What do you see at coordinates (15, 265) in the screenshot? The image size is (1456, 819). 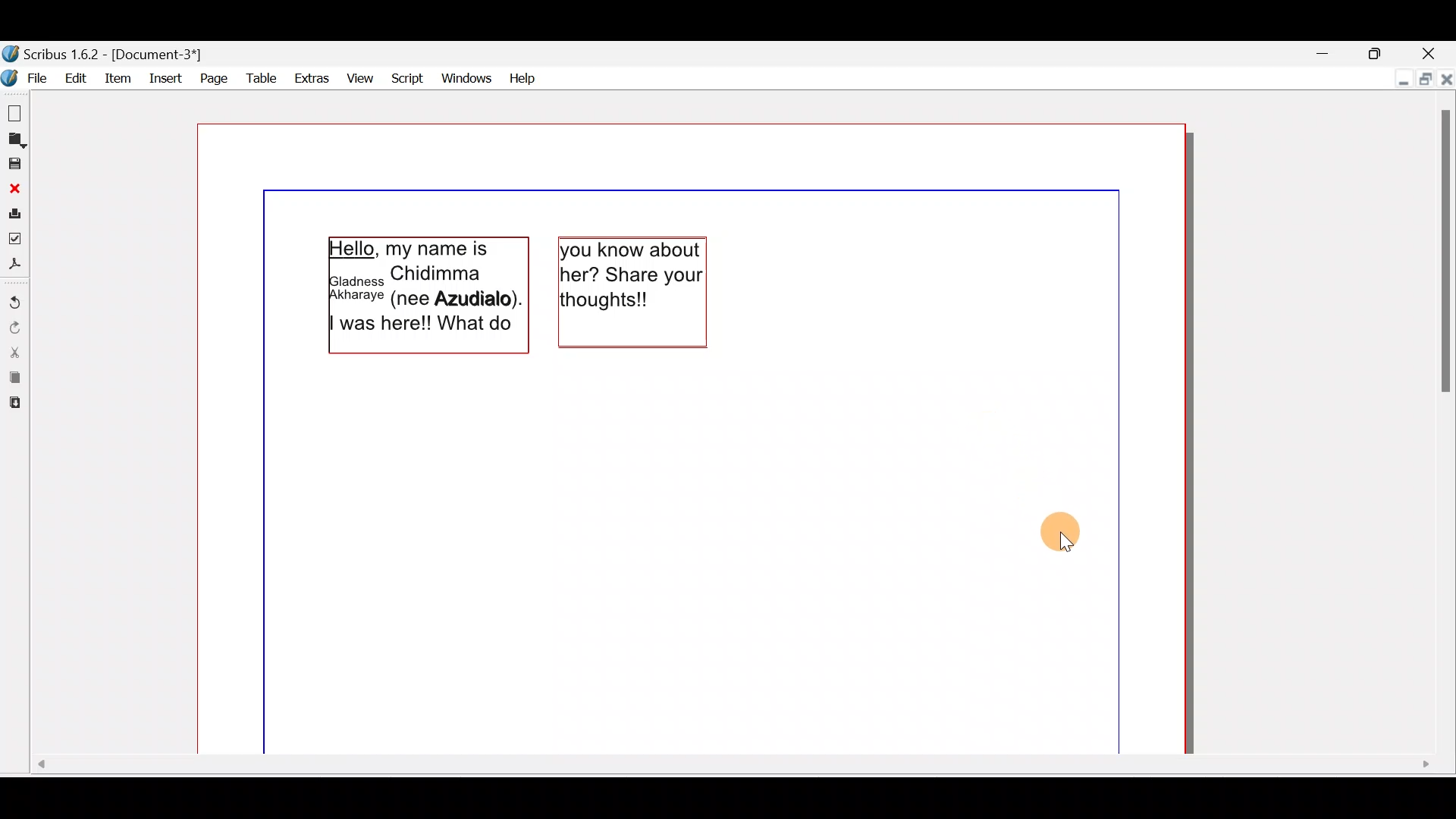 I see `Save as PDF` at bounding box center [15, 265].